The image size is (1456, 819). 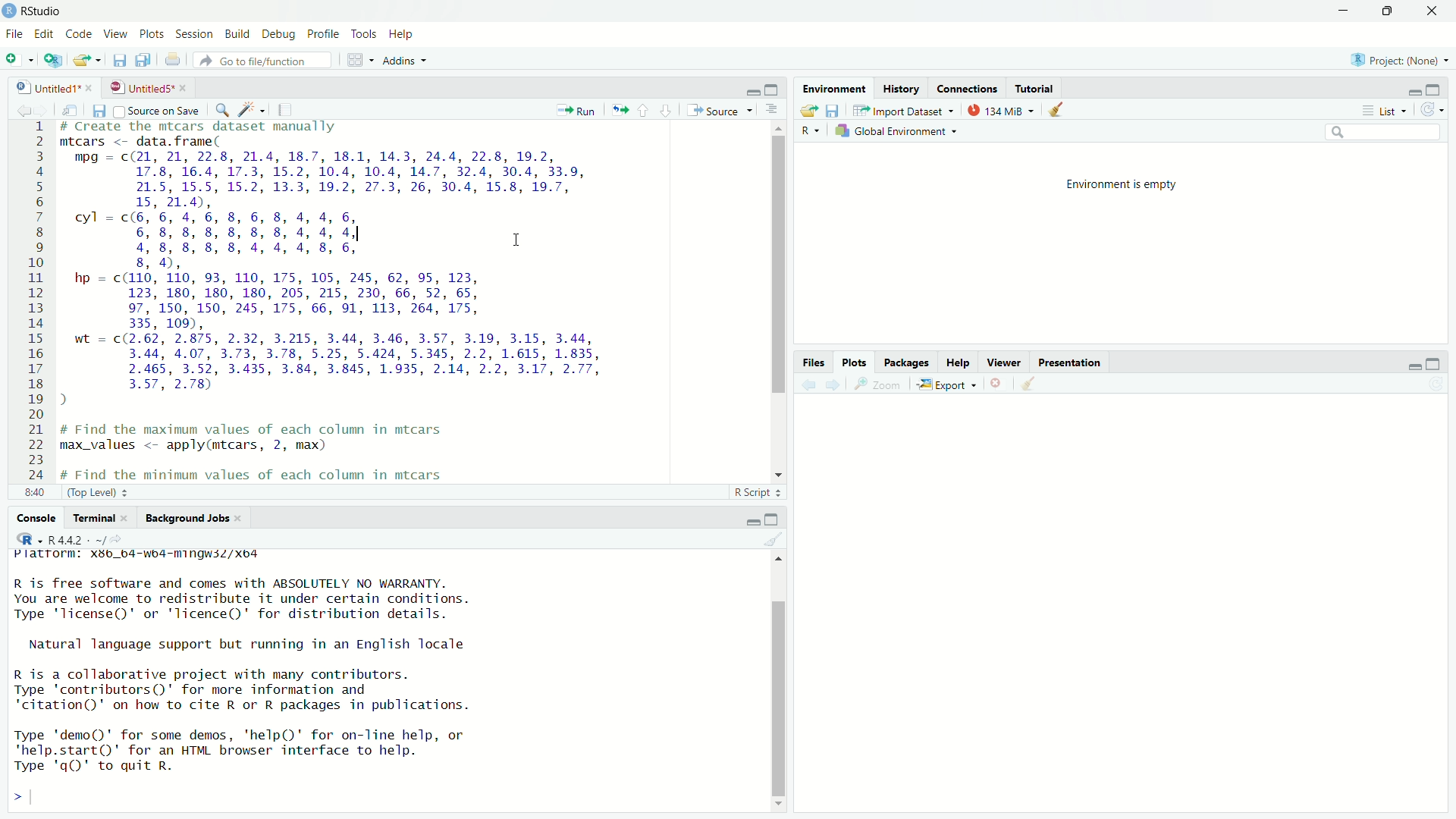 What do you see at coordinates (284, 109) in the screenshot?
I see `notes` at bounding box center [284, 109].